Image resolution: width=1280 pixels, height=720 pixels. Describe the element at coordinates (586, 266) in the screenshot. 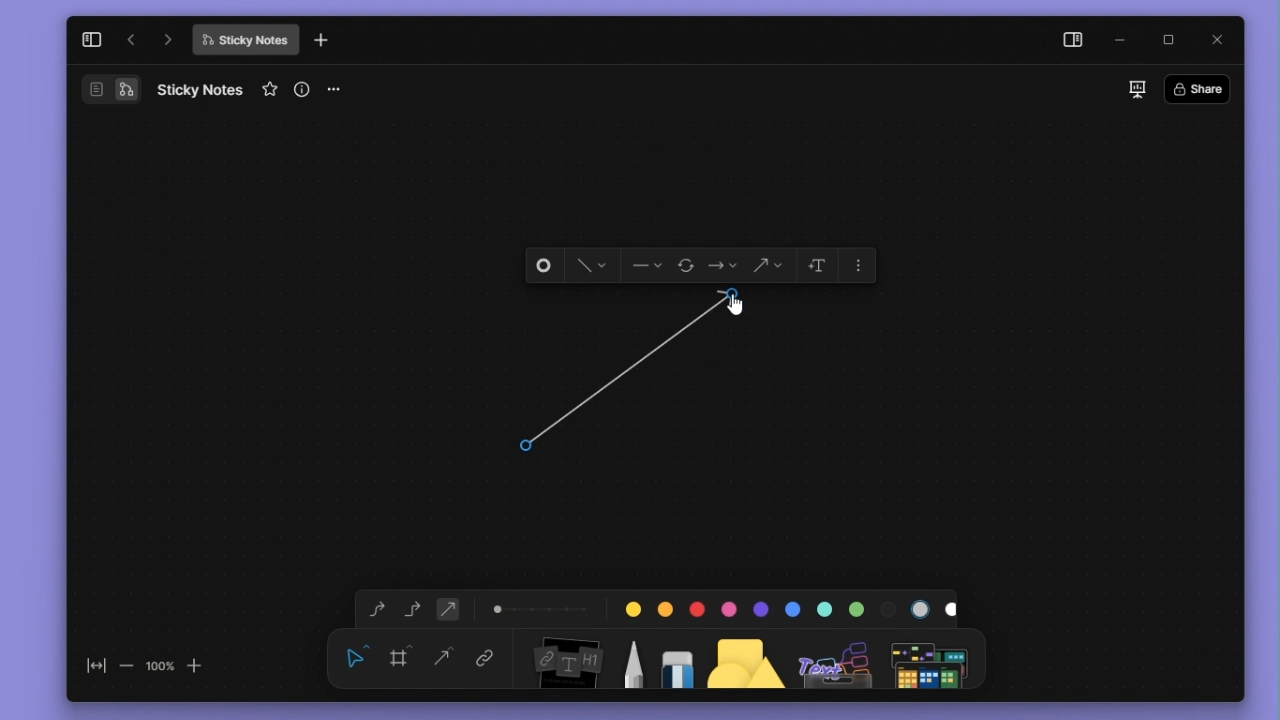

I see `style` at that location.